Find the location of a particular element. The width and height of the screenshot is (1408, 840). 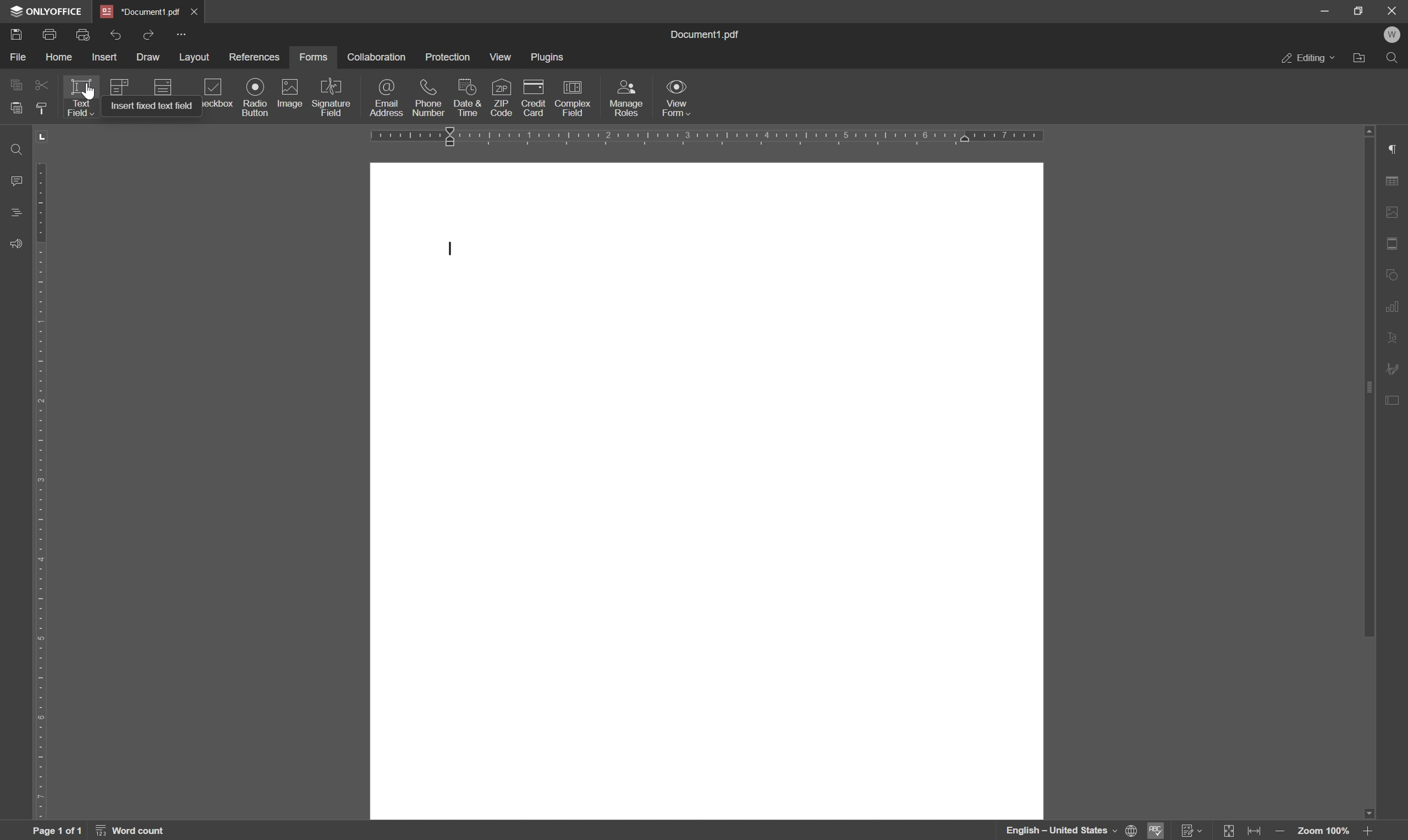

comments is located at coordinates (14, 180).